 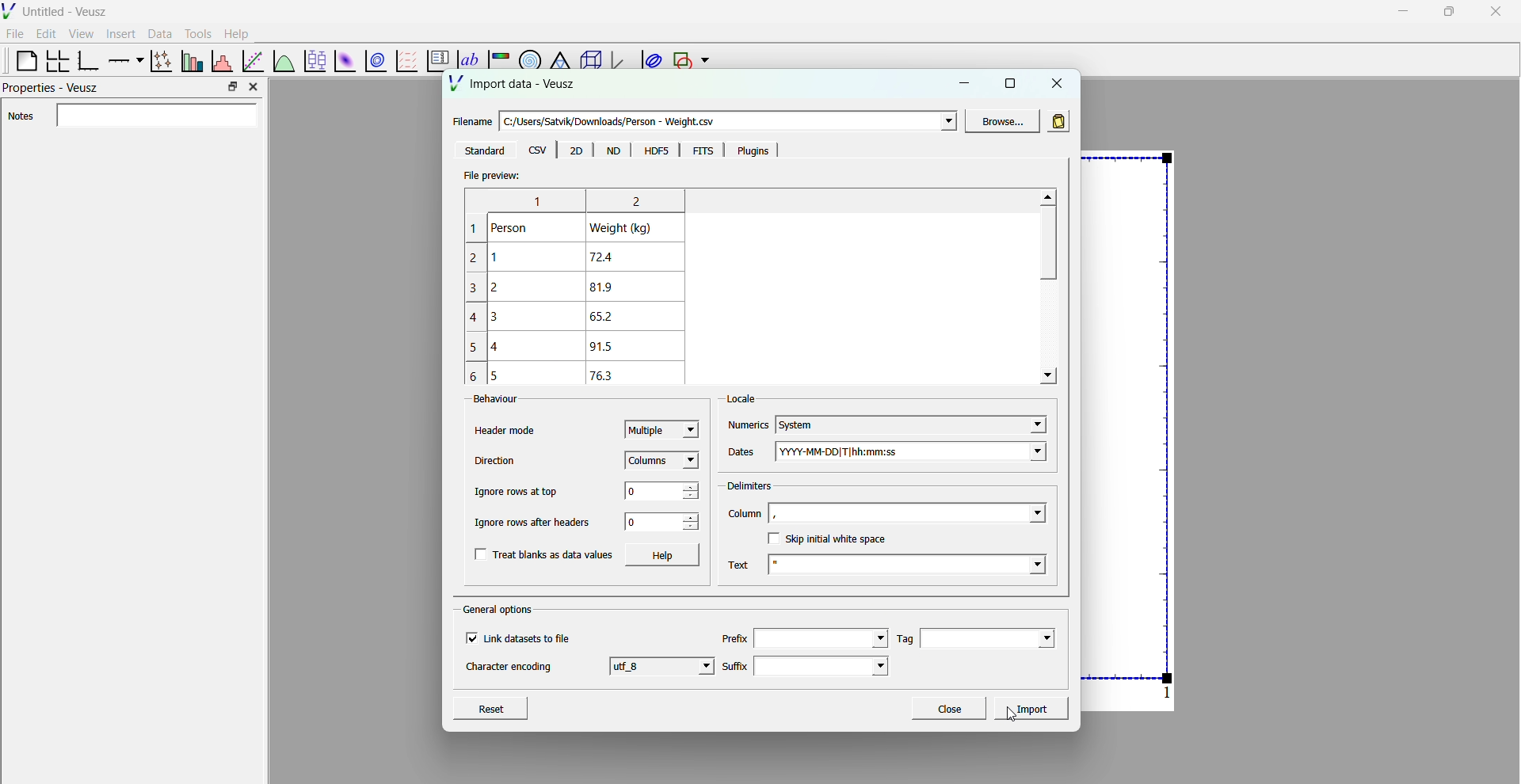 I want to click on Close, so click(x=948, y=708).